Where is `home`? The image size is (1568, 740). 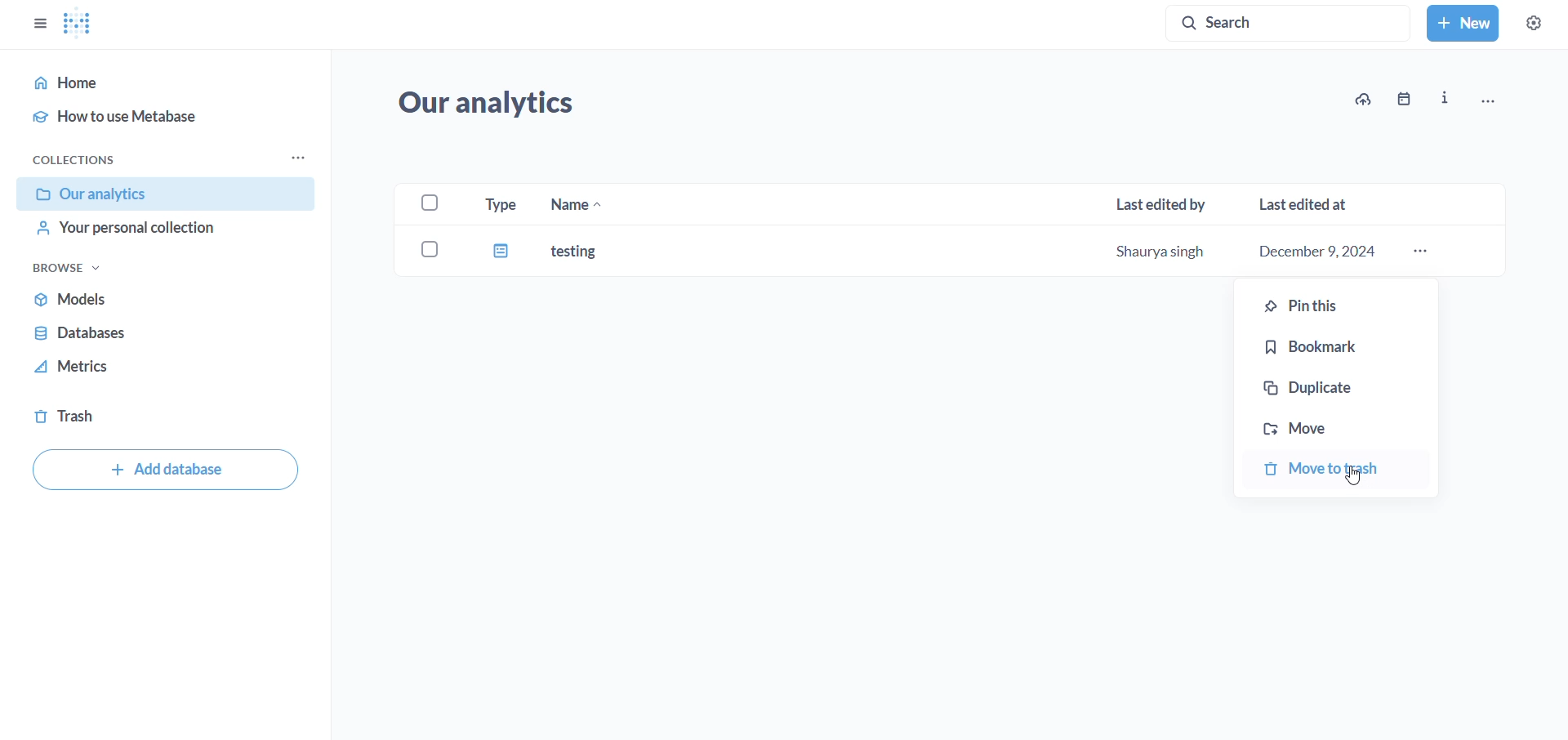
home is located at coordinates (151, 82).